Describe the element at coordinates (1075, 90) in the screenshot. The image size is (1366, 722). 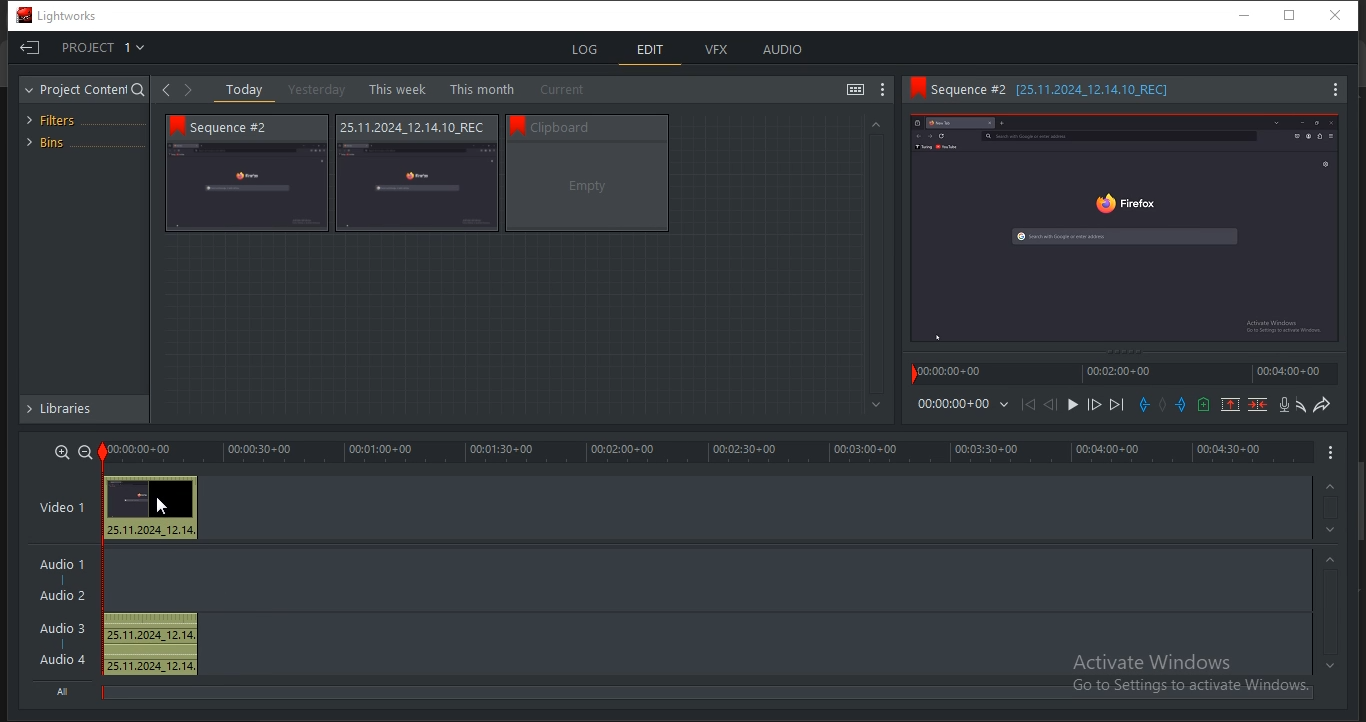
I see `Sequence information` at that location.